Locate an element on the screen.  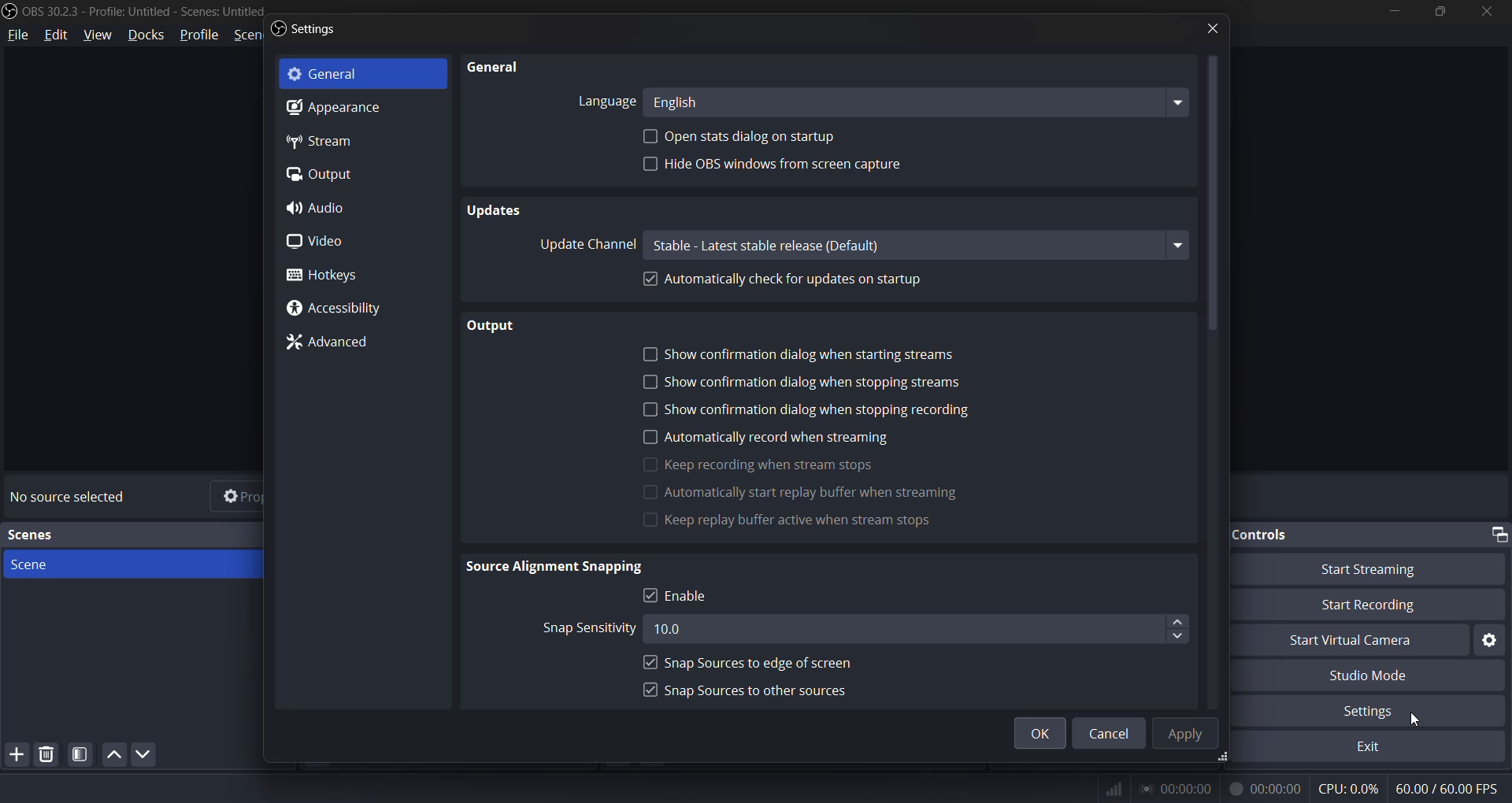
vertical scroll bar is located at coordinates (1210, 191).